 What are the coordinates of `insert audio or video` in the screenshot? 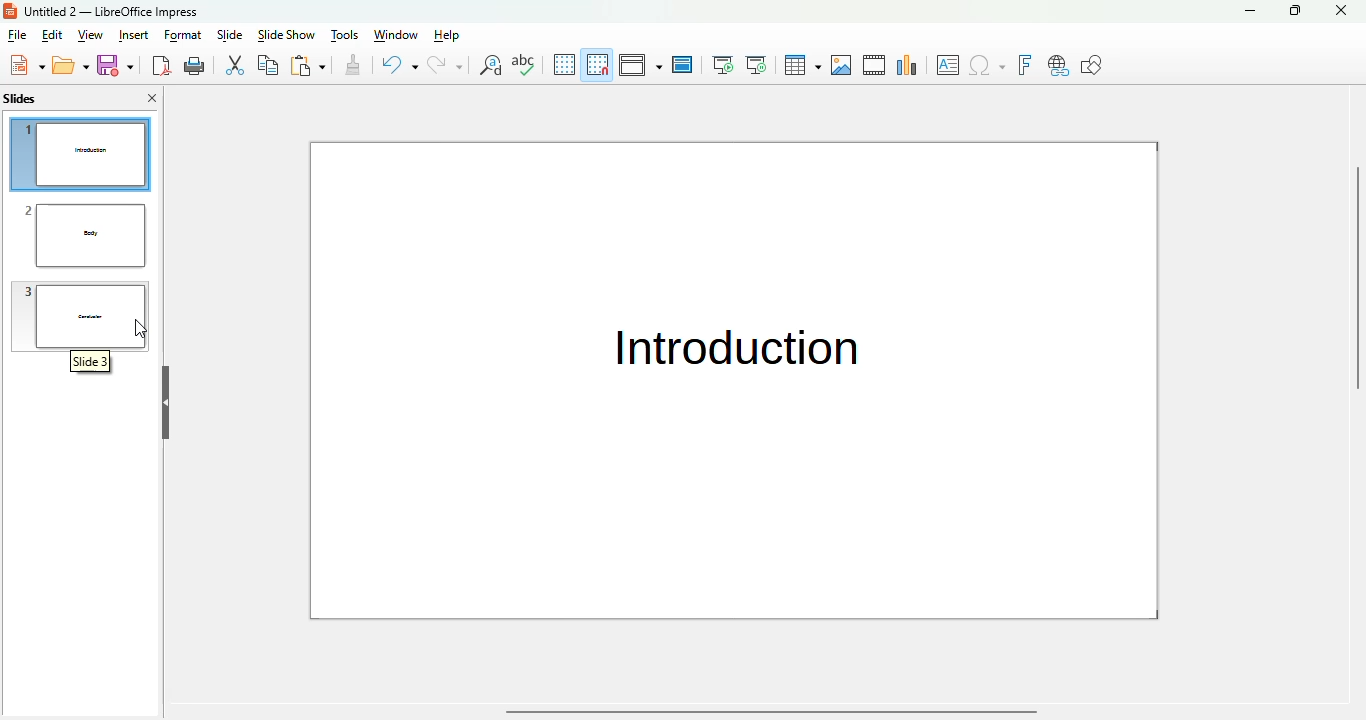 It's located at (875, 65).